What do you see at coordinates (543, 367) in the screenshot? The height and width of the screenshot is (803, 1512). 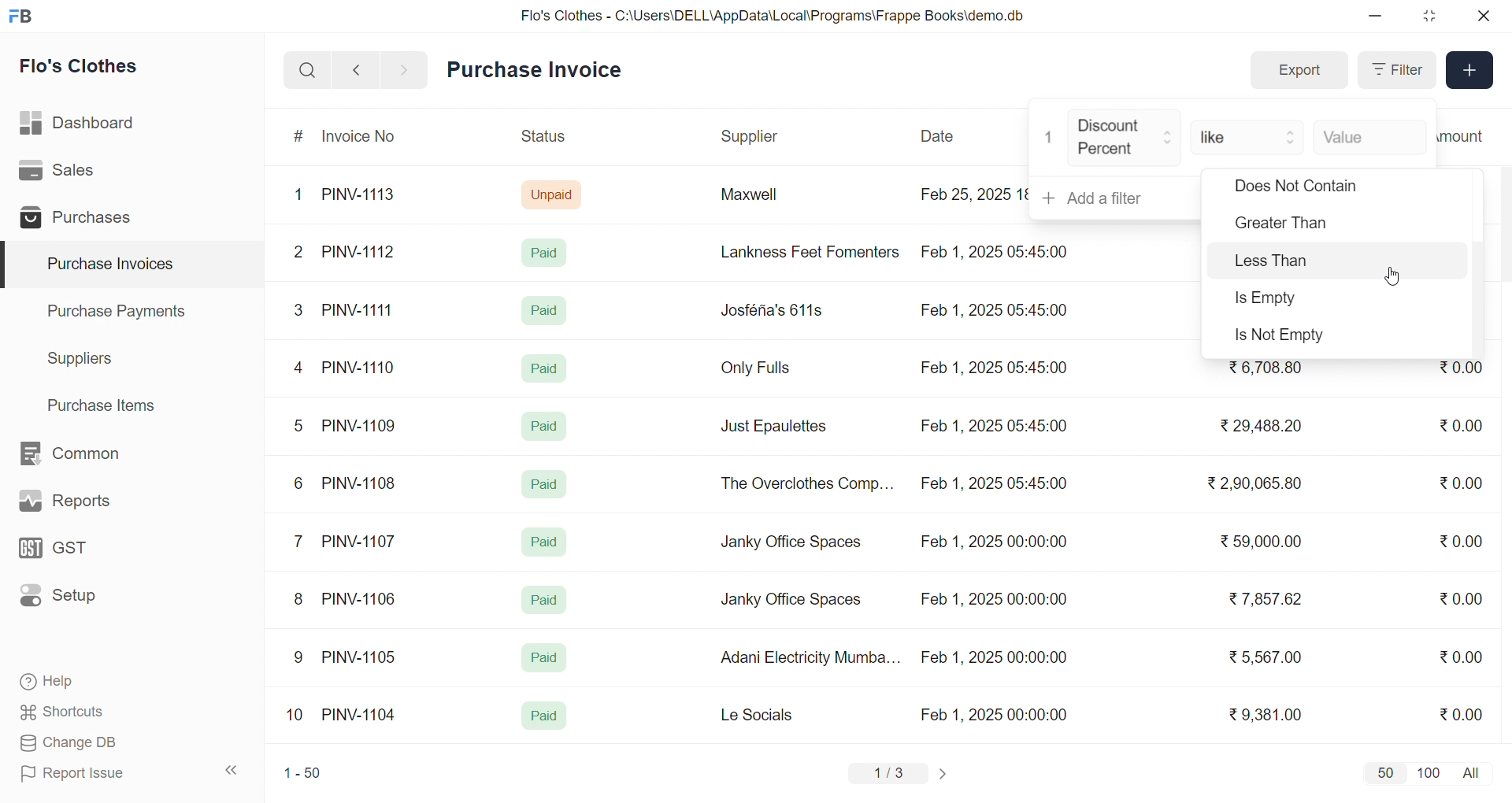 I see `Paid` at bounding box center [543, 367].